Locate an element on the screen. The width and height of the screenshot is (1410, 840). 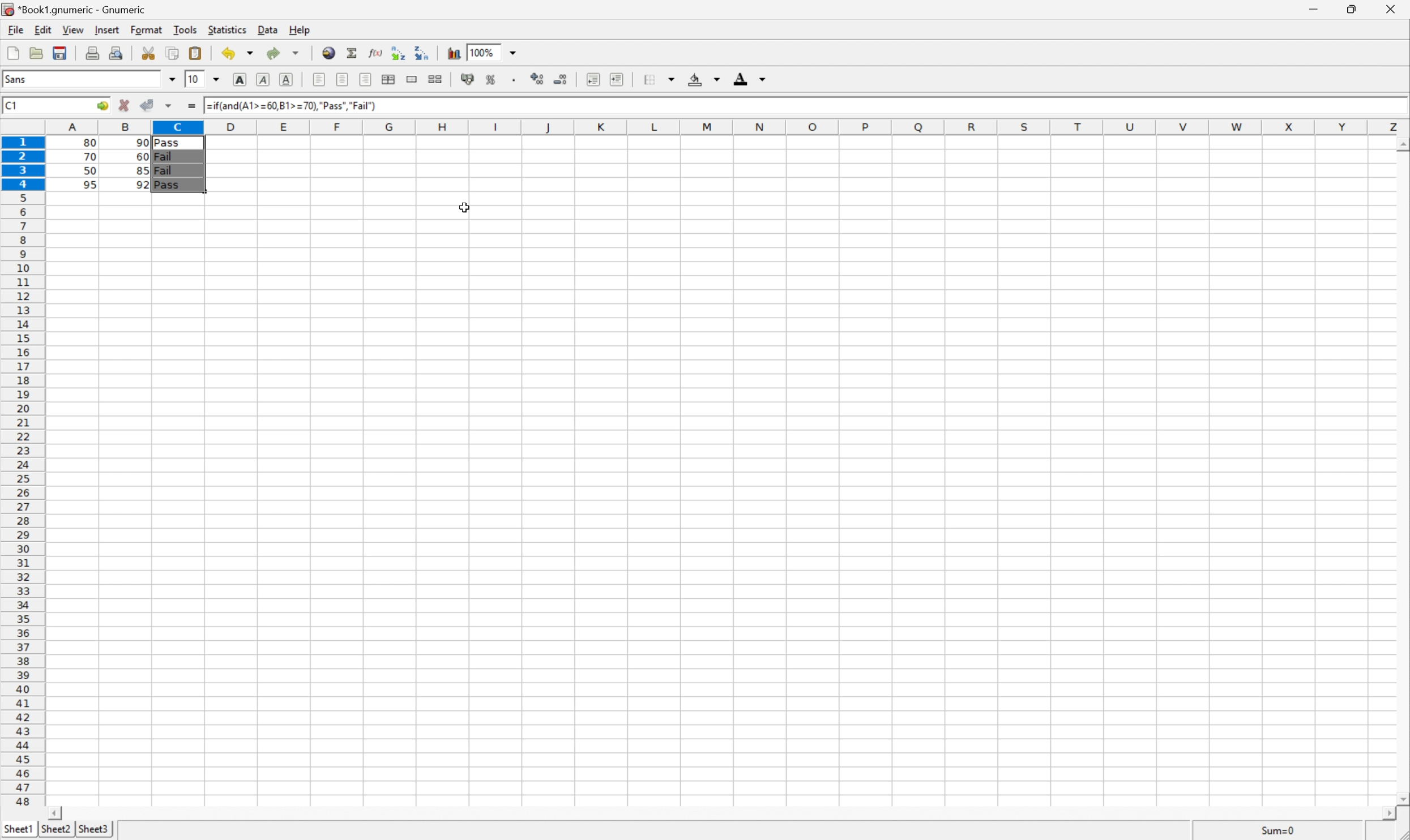
Save the document is located at coordinates (36, 53).